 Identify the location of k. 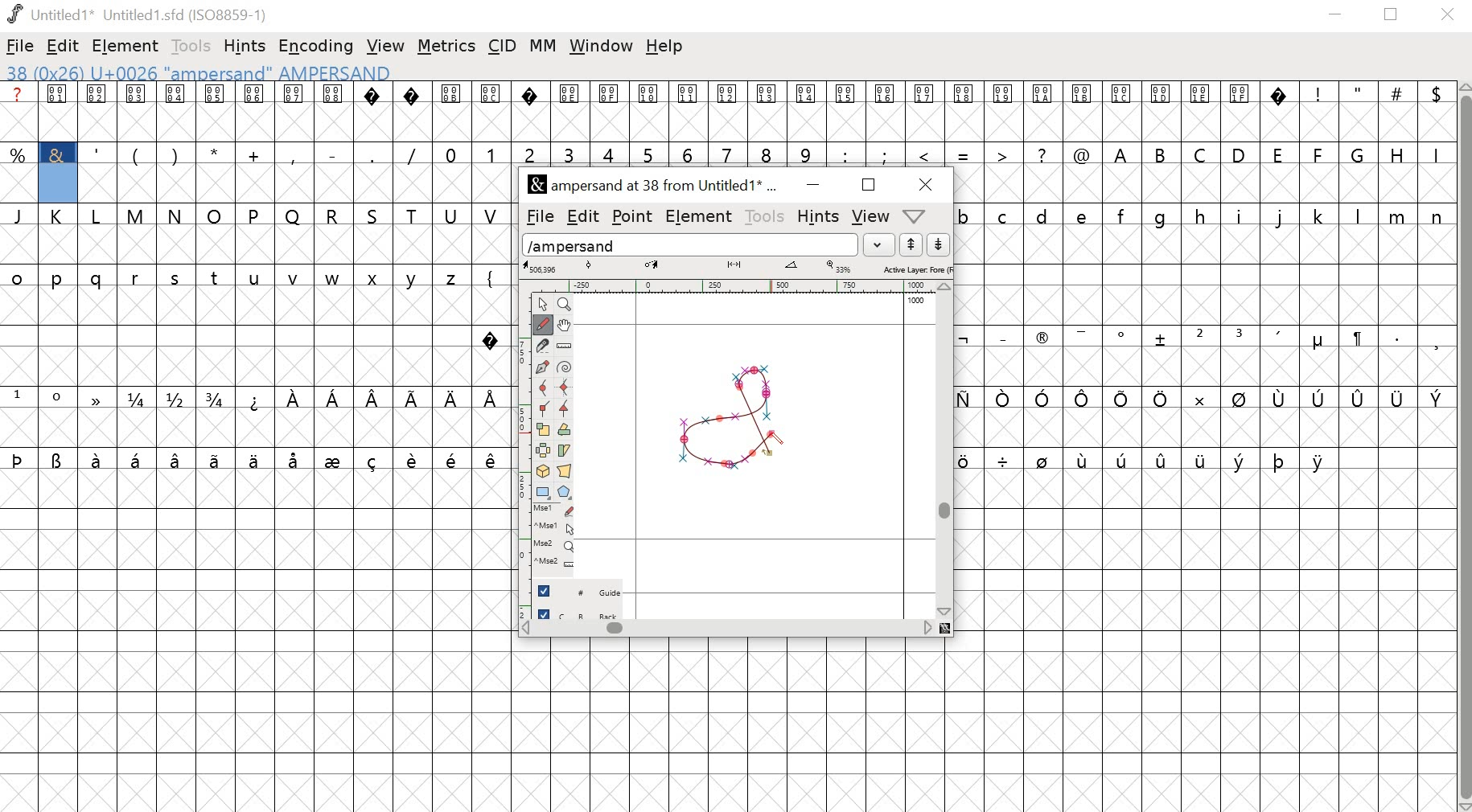
(1318, 215).